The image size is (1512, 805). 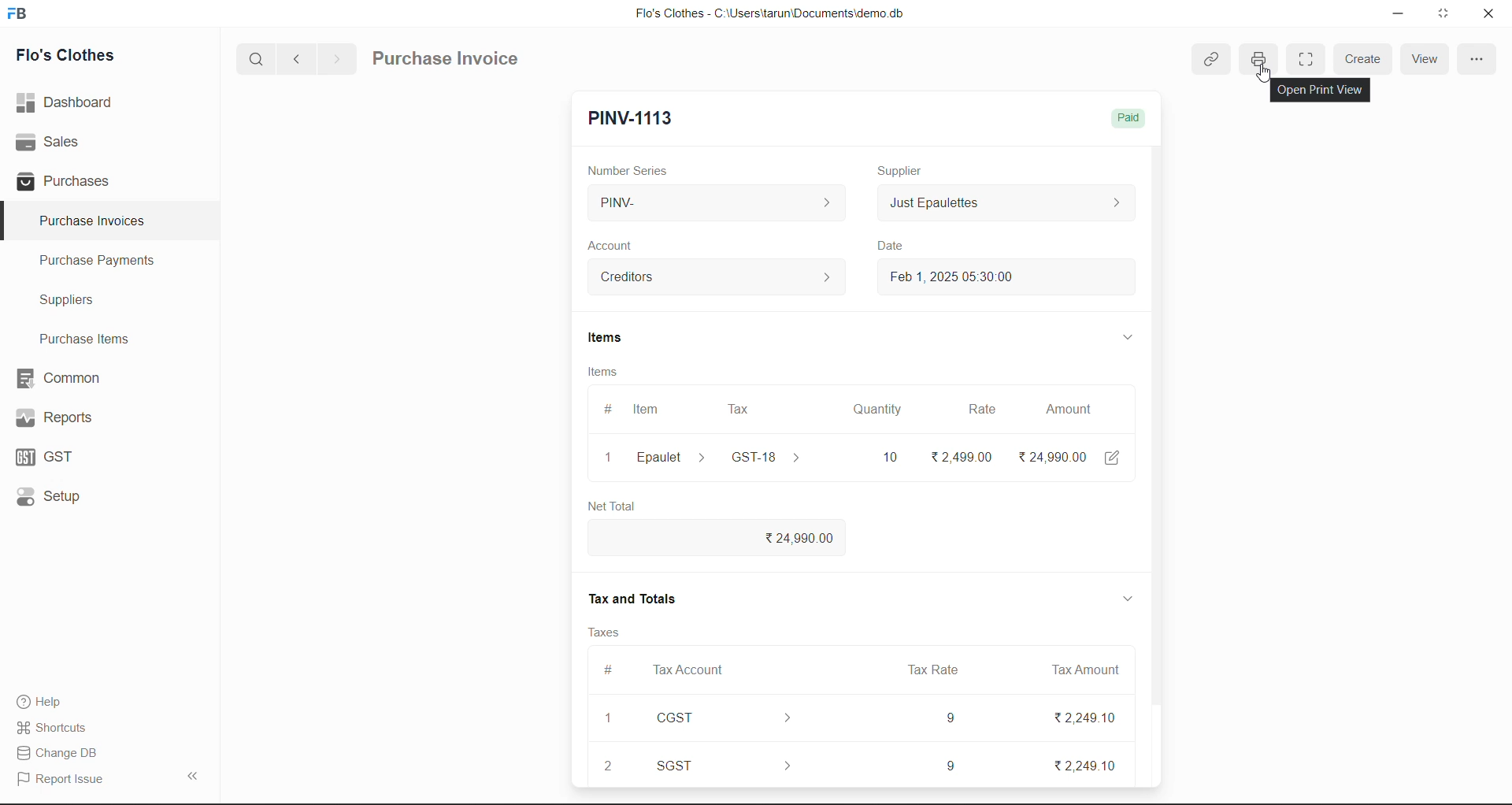 What do you see at coordinates (1091, 768) in the screenshot?
I see `₹2249.10` at bounding box center [1091, 768].